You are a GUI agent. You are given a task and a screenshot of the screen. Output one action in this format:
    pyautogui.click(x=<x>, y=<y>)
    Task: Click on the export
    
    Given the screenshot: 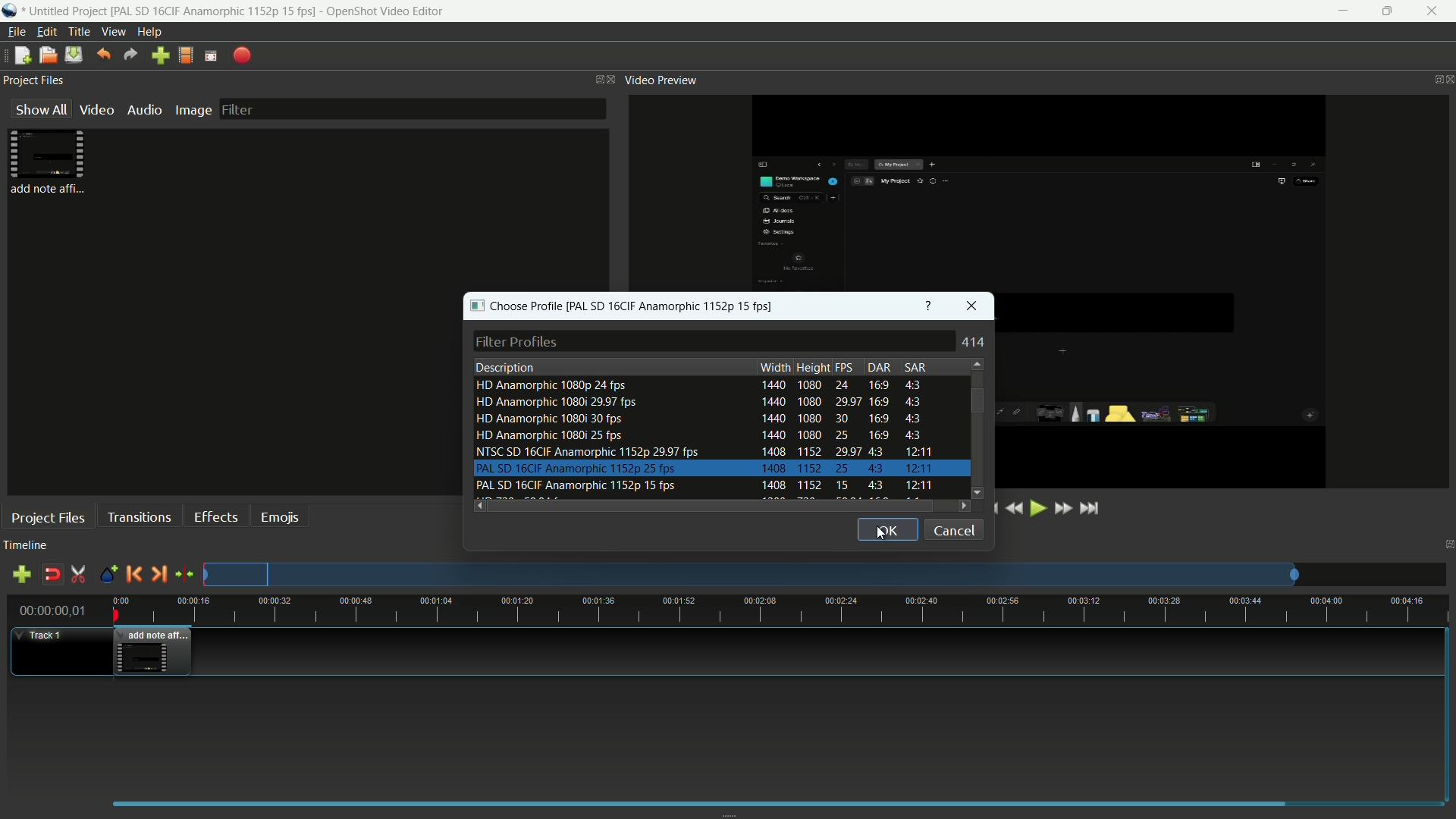 What is the action you would take?
    pyautogui.click(x=242, y=56)
    